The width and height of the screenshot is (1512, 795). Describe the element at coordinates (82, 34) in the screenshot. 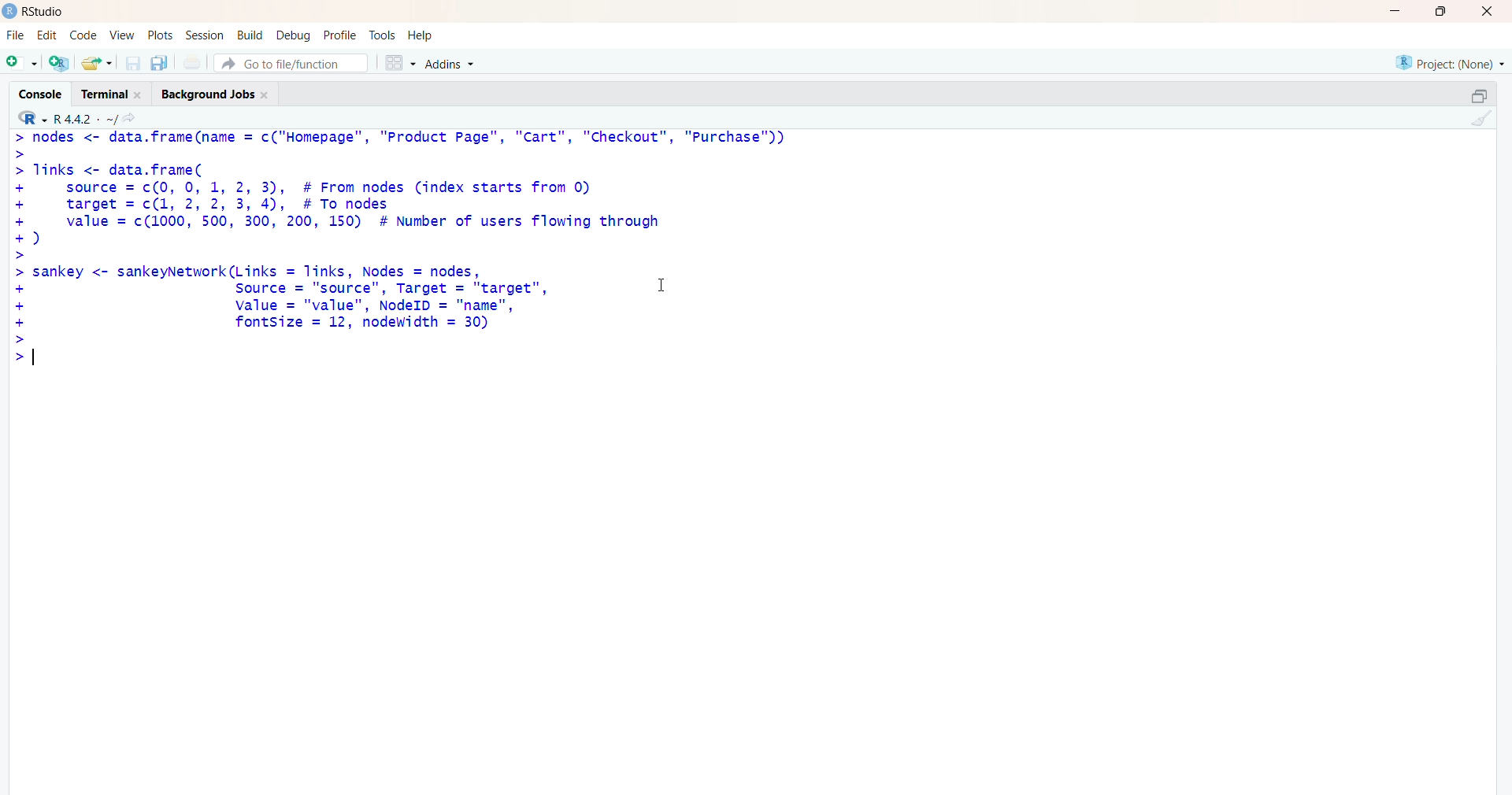

I see `` at that location.